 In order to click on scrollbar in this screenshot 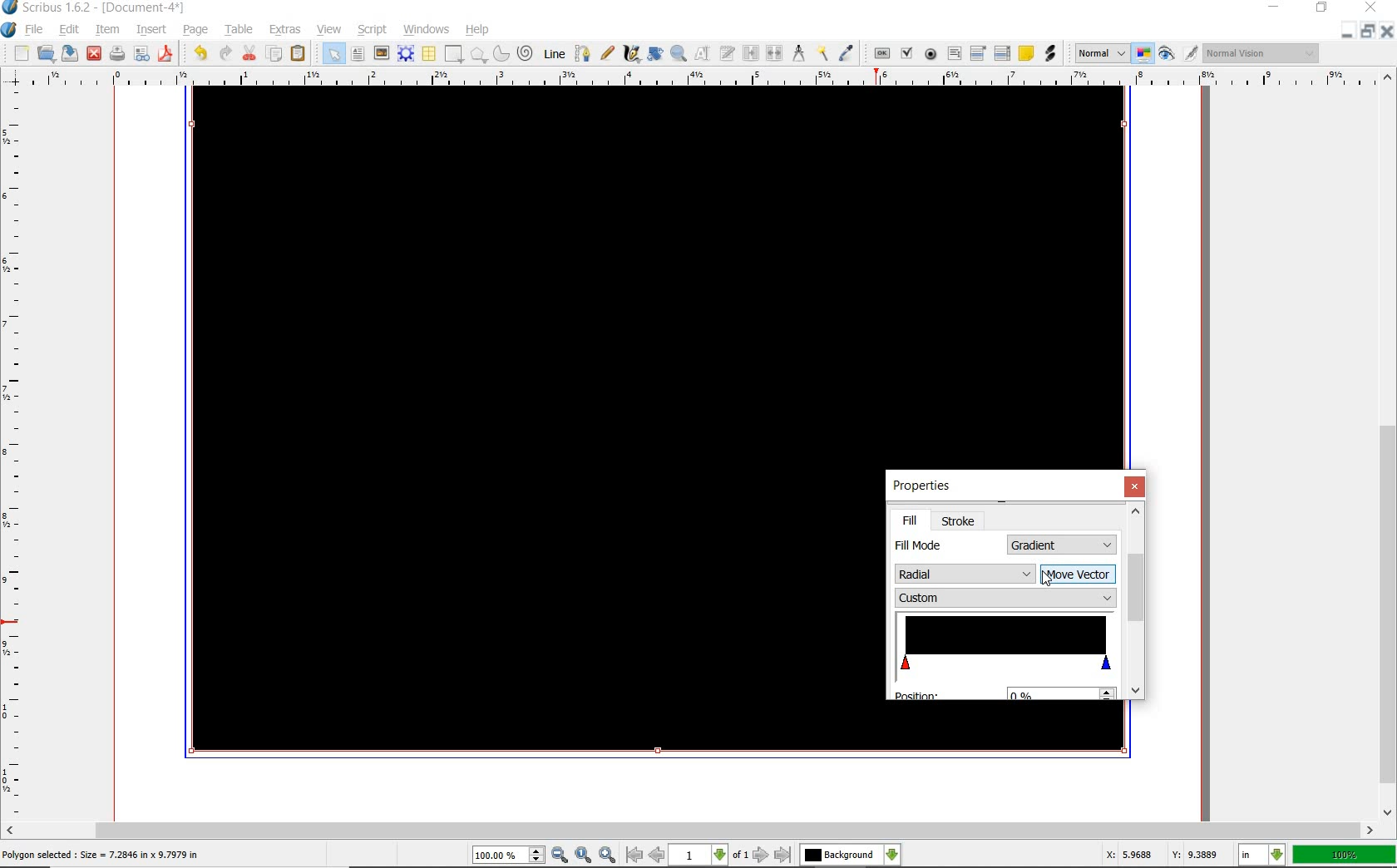, I will do `click(1387, 445)`.